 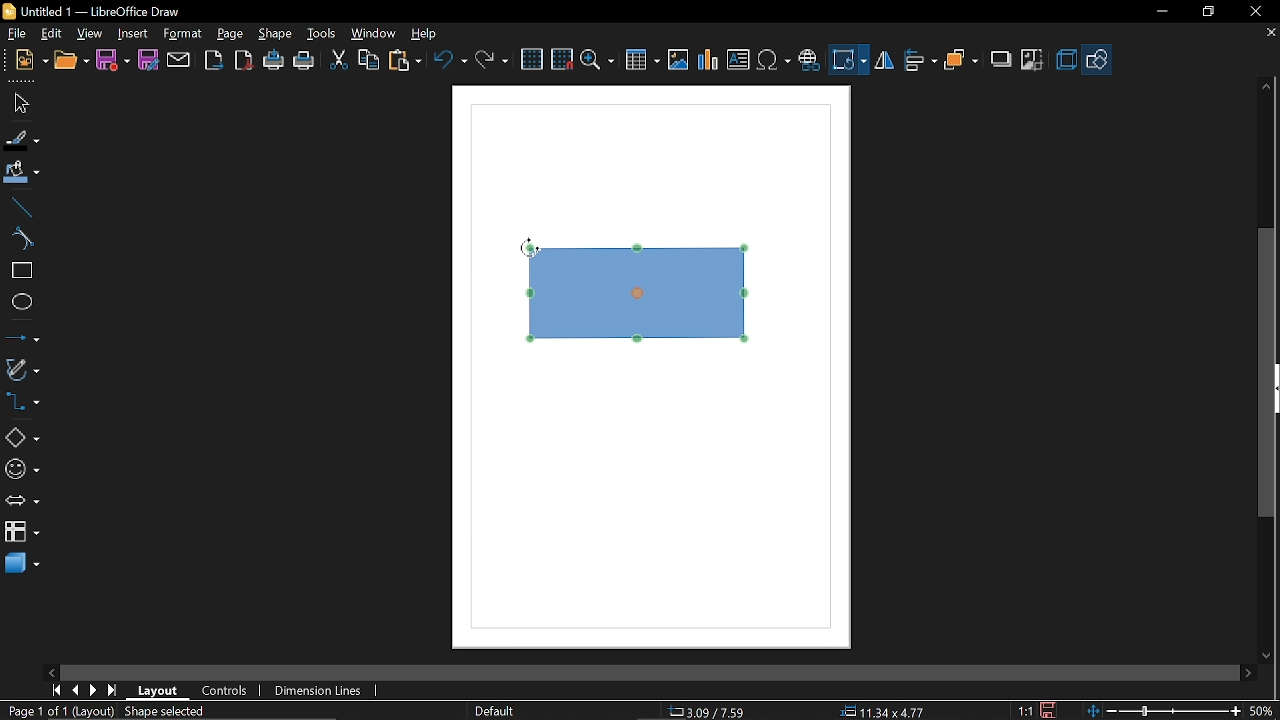 I want to click on next page, so click(x=94, y=691).